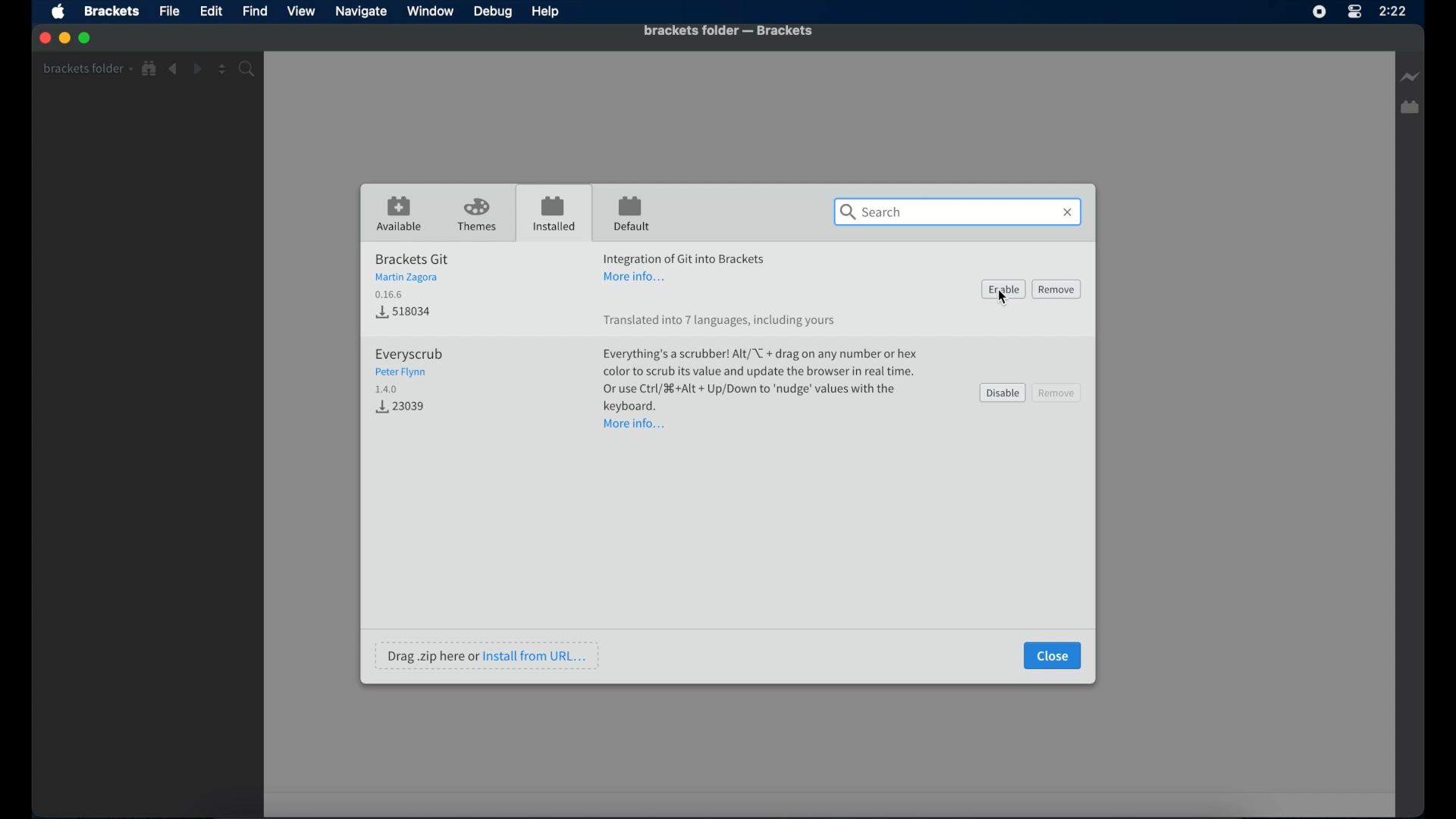  Describe the element at coordinates (1396, 13) in the screenshot. I see `2:22` at that location.